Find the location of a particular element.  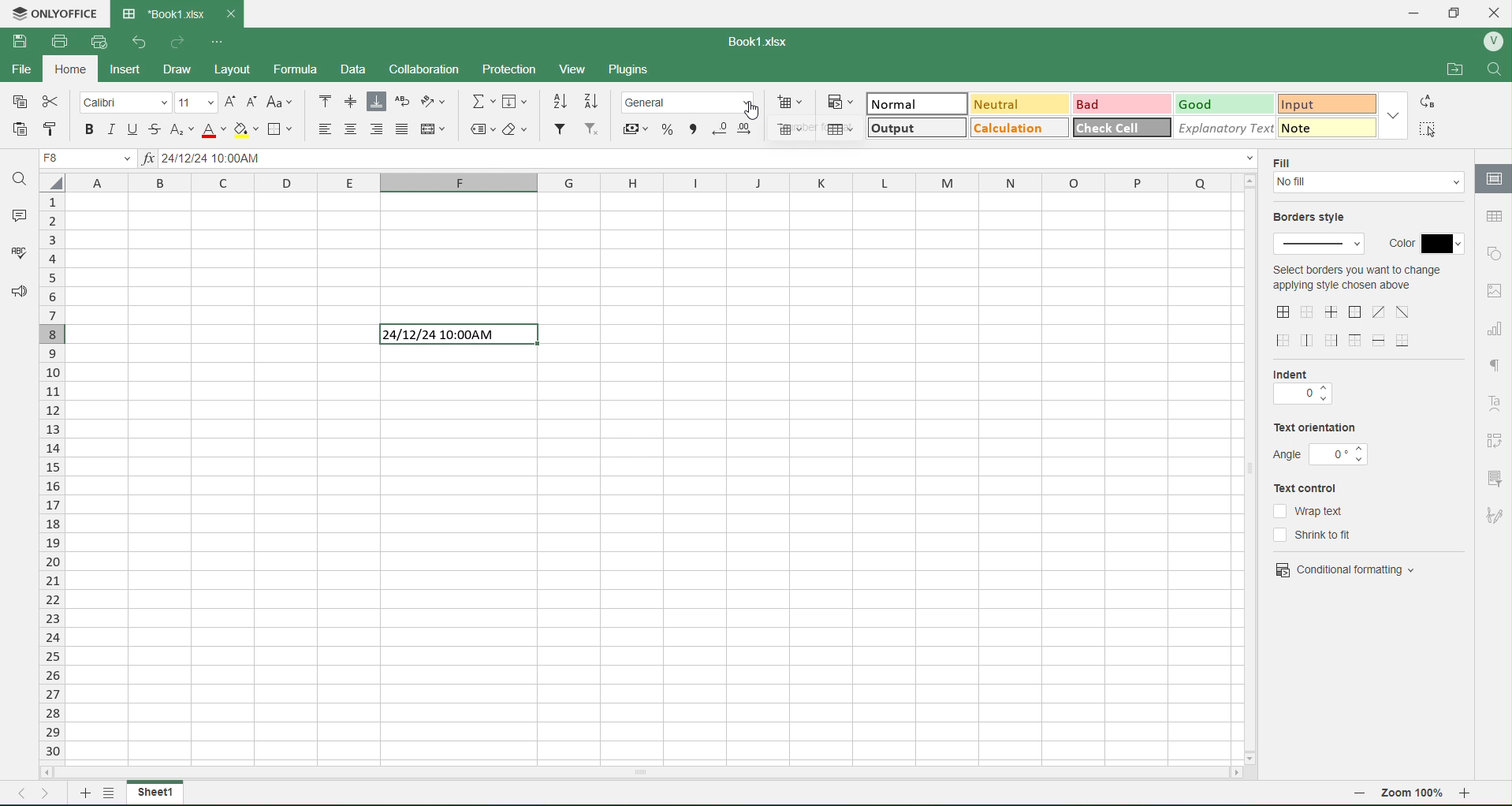

Strikethrough is located at coordinates (157, 128).